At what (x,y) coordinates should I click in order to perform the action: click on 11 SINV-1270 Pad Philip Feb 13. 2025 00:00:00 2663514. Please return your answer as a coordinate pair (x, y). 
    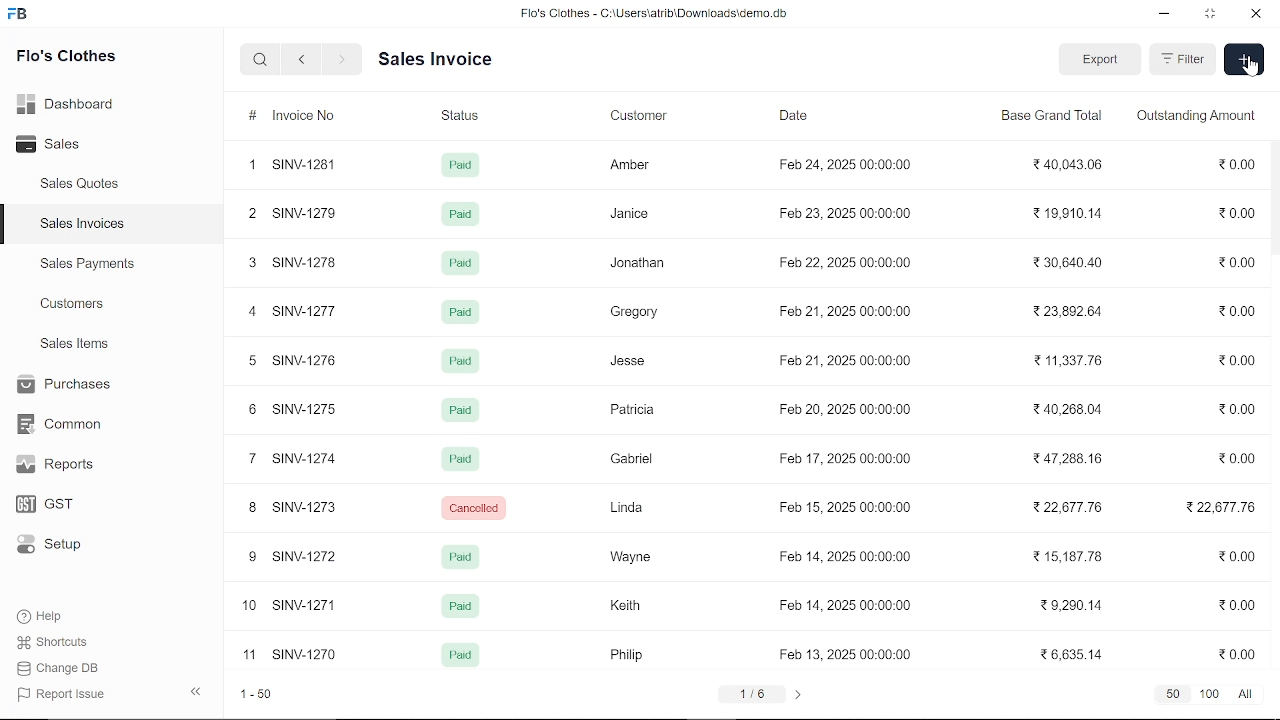
    Looking at the image, I should click on (754, 650).